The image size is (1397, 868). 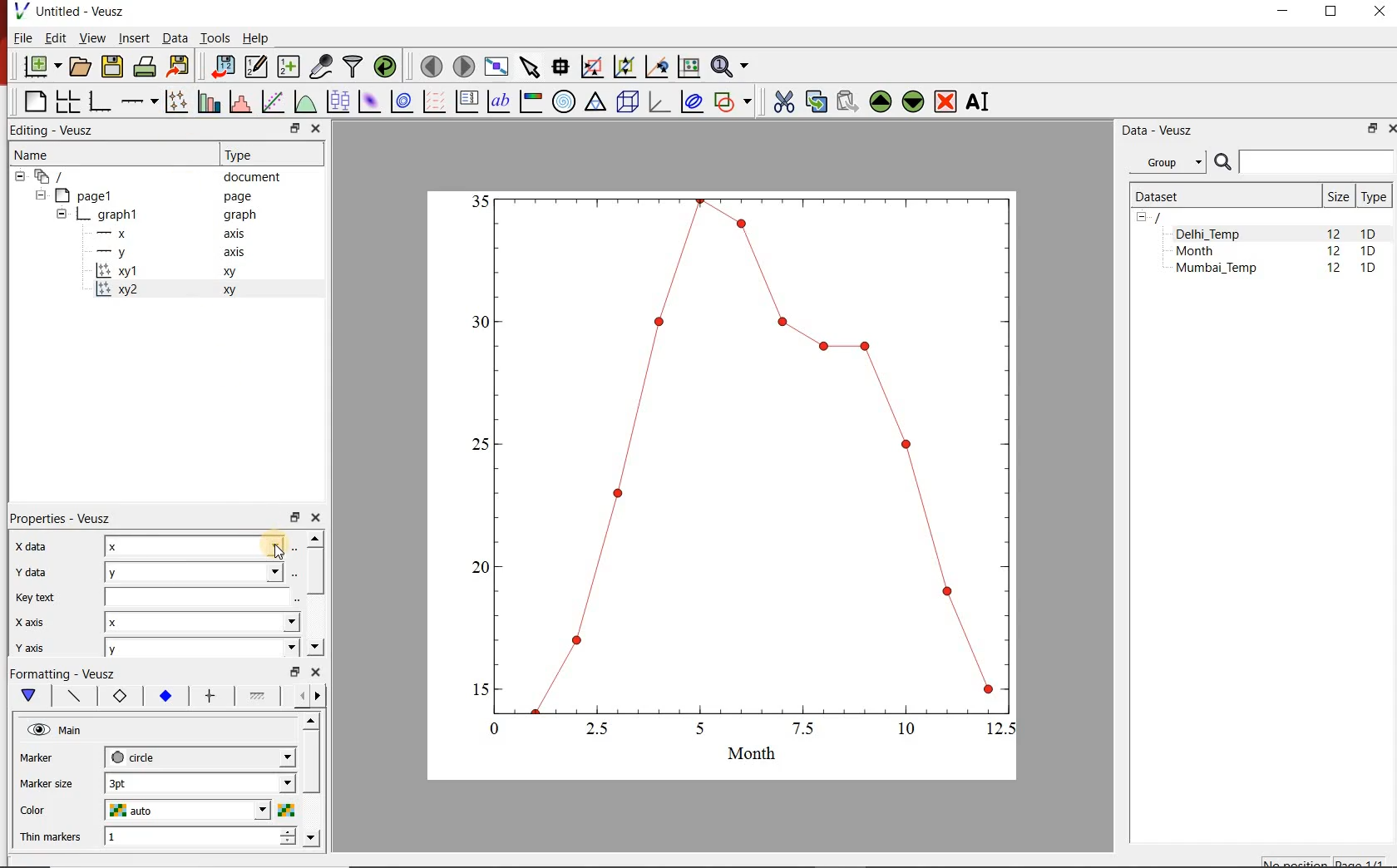 What do you see at coordinates (297, 671) in the screenshot?
I see `restore` at bounding box center [297, 671].